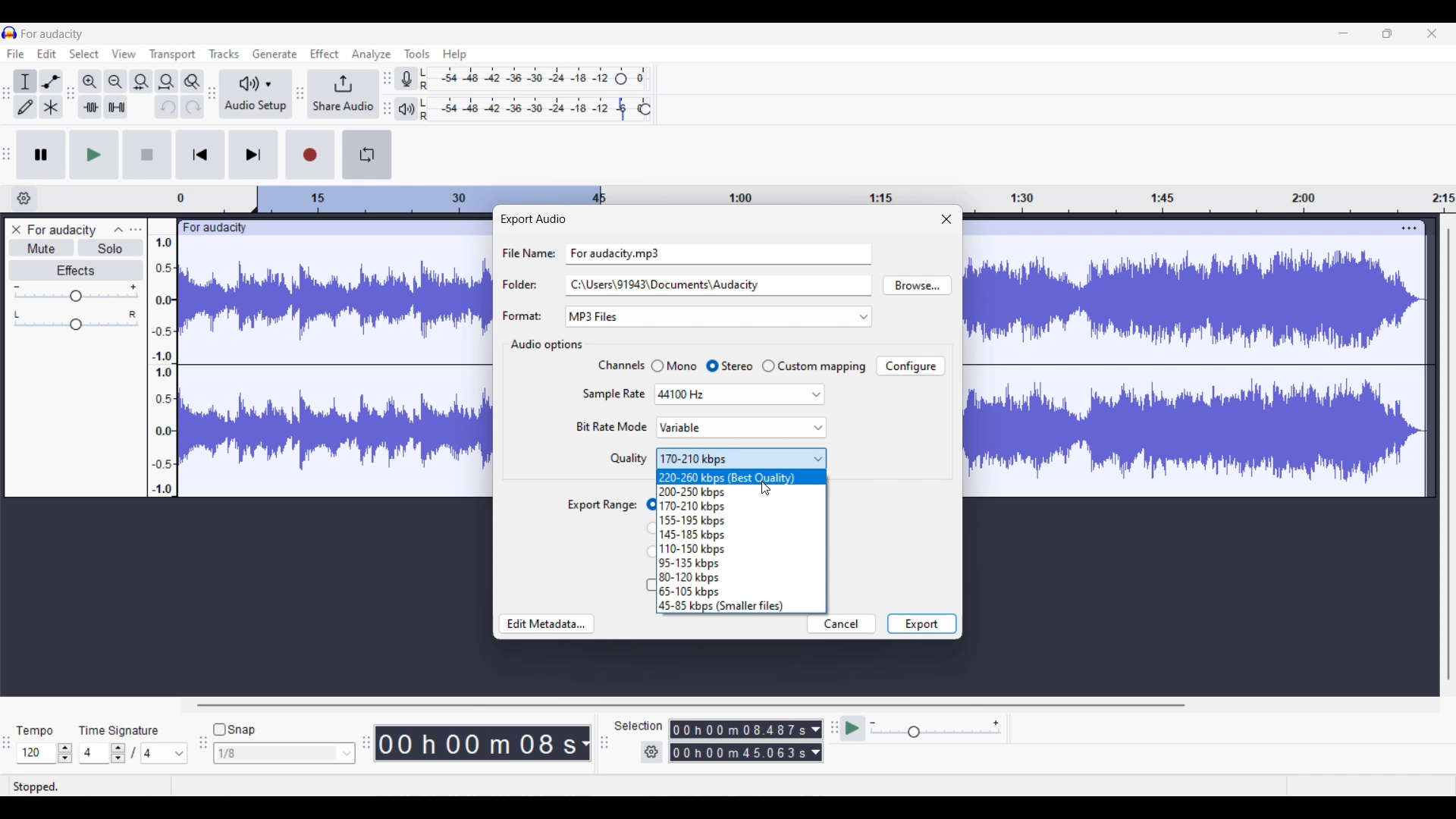 The width and height of the screenshot is (1456, 819). Describe the element at coordinates (741, 459) in the screenshot. I see `Quality options highlighted by cursor` at that location.